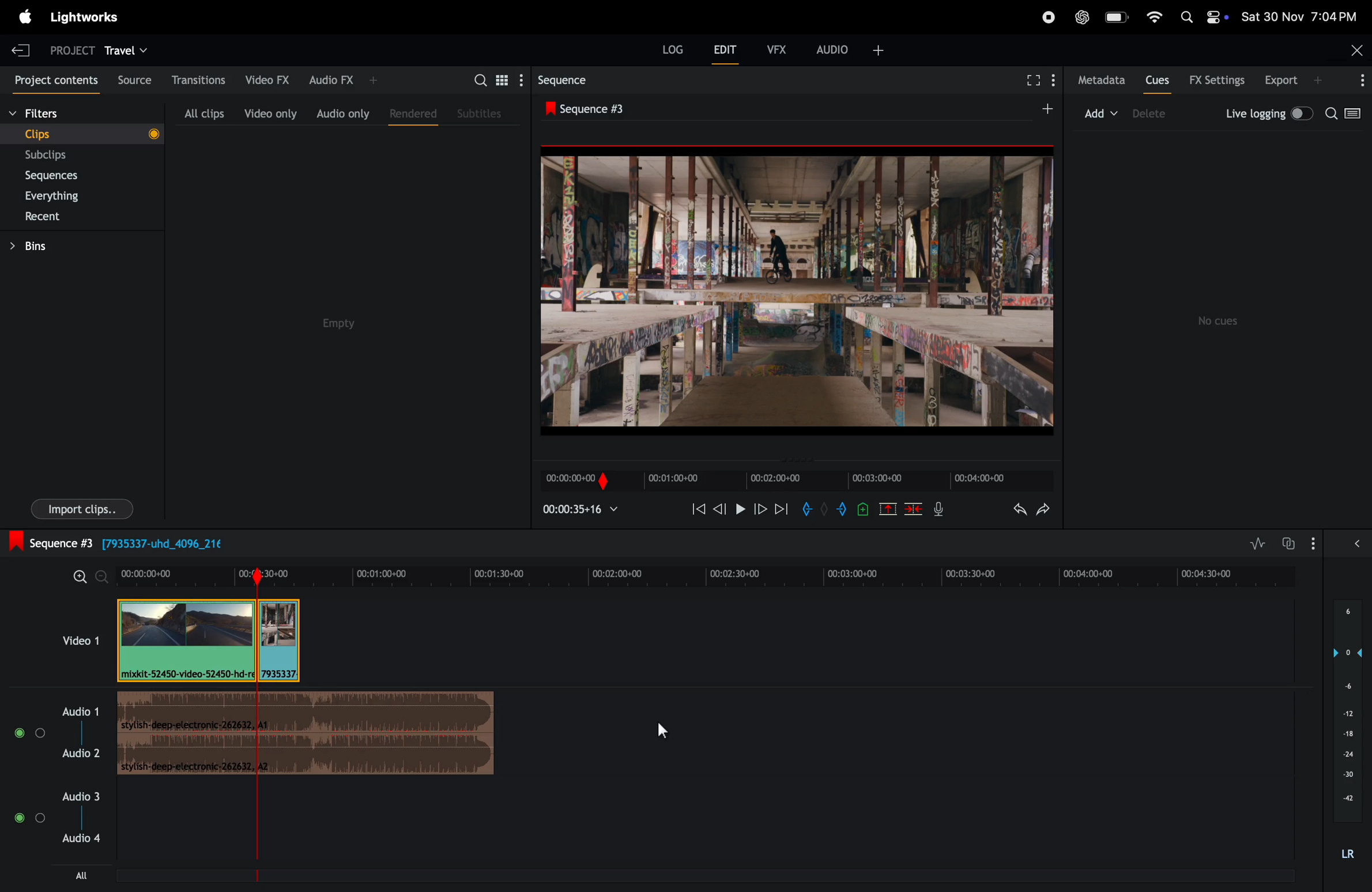  Describe the element at coordinates (1097, 81) in the screenshot. I see `metadata` at that location.